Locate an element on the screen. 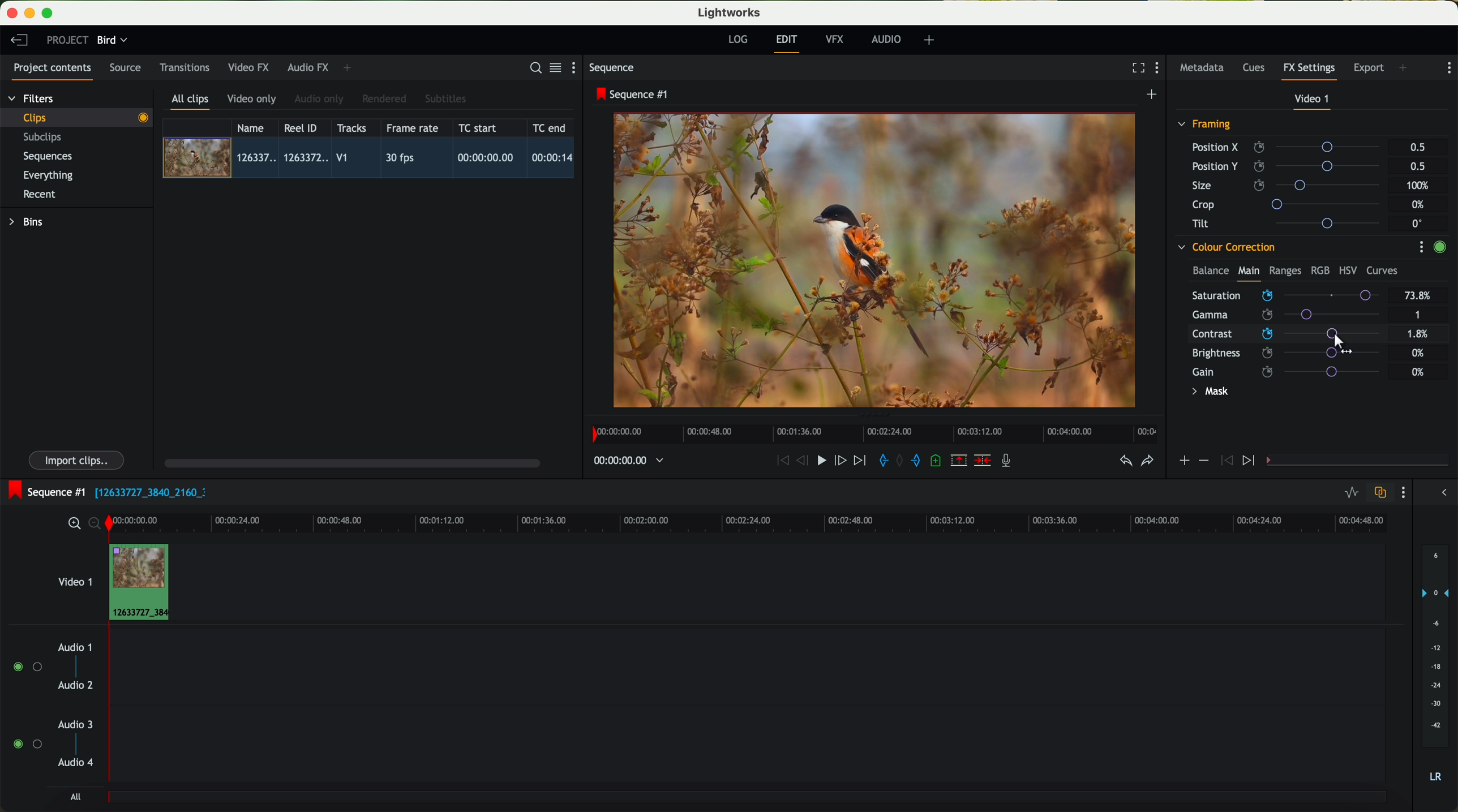 The height and width of the screenshot is (812, 1458). add a cue at the current position is located at coordinates (937, 461).